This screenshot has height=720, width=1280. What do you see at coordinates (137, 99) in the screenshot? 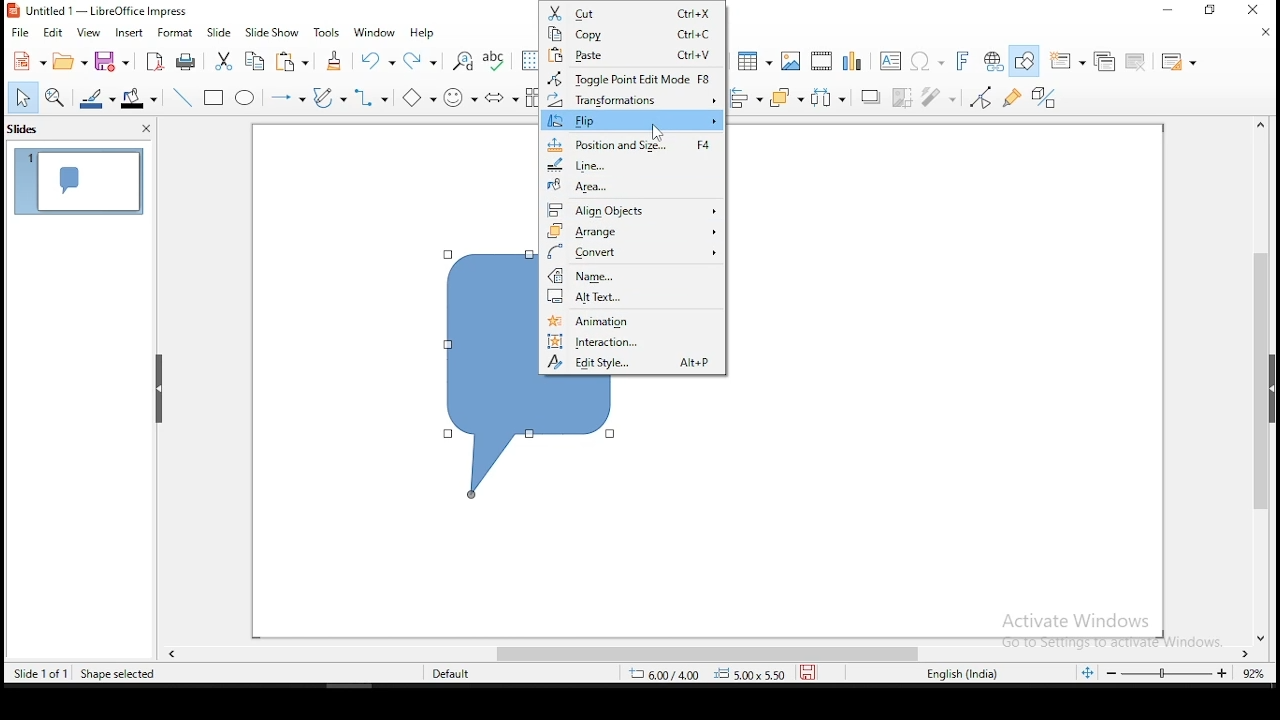
I see `fill color` at bounding box center [137, 99].